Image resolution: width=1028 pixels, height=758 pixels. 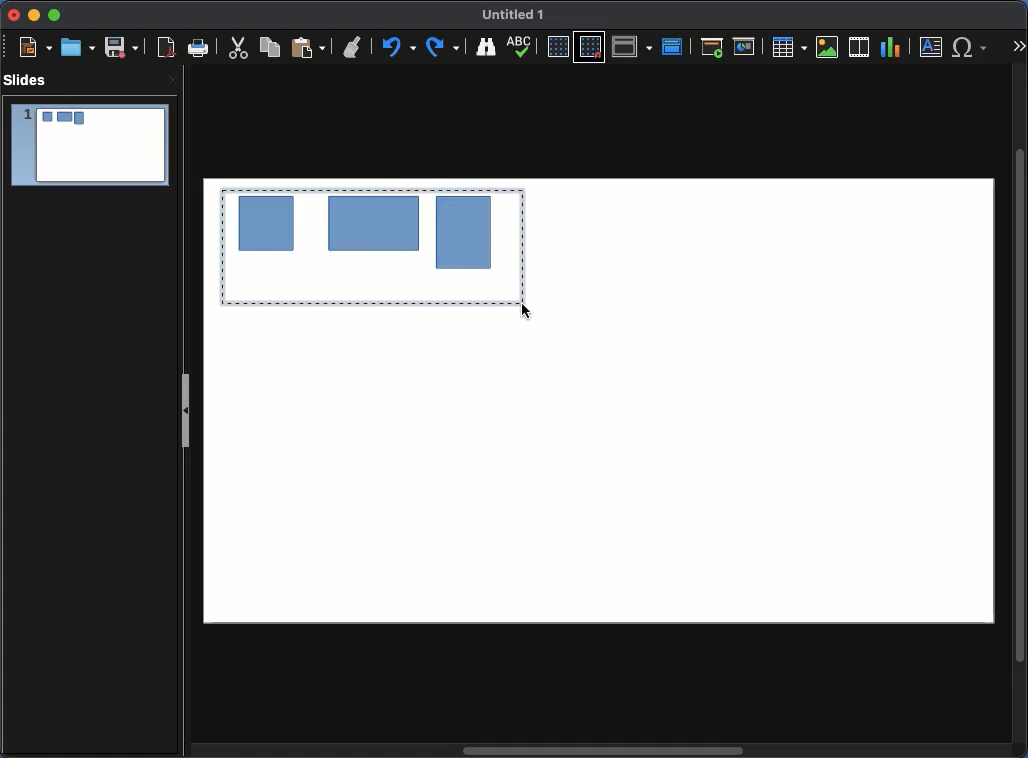 What do you see at coordinates (827, 47) in the screenshot?
I see `Insert image` at bounding box center [827, 47].